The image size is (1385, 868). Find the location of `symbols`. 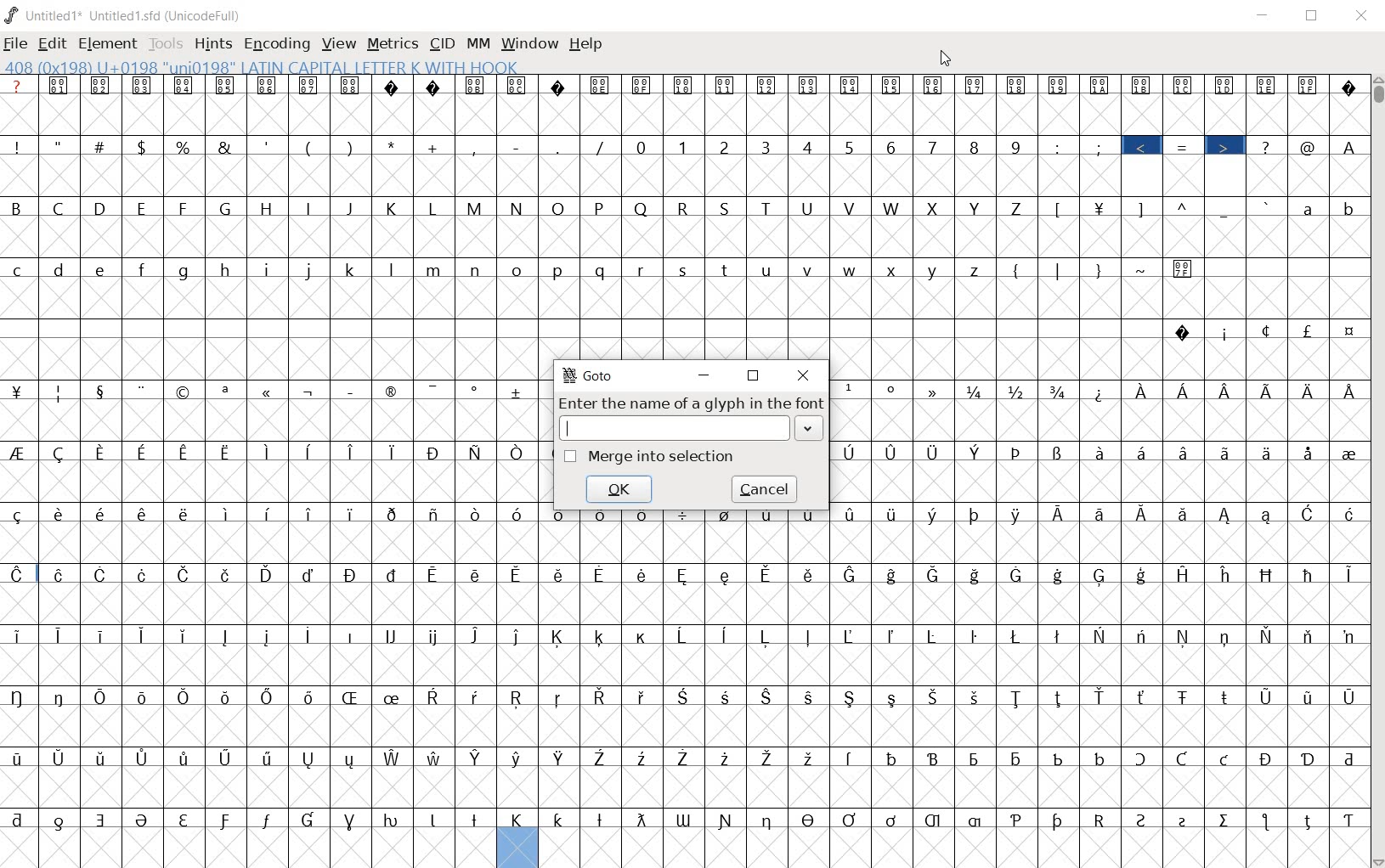

symbols is located at coordinates (1101, 268).